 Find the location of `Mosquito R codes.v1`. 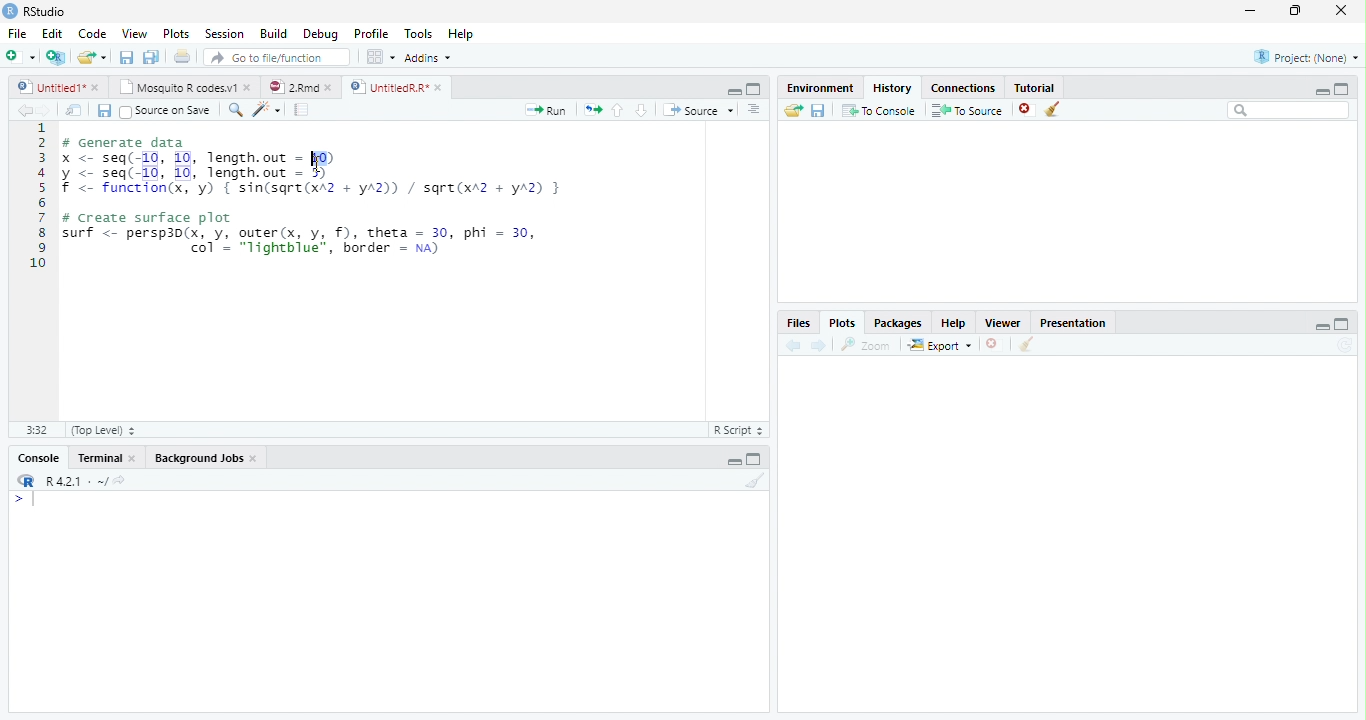

Mosquito R codes.v1 is located at coordinates (175, 87).